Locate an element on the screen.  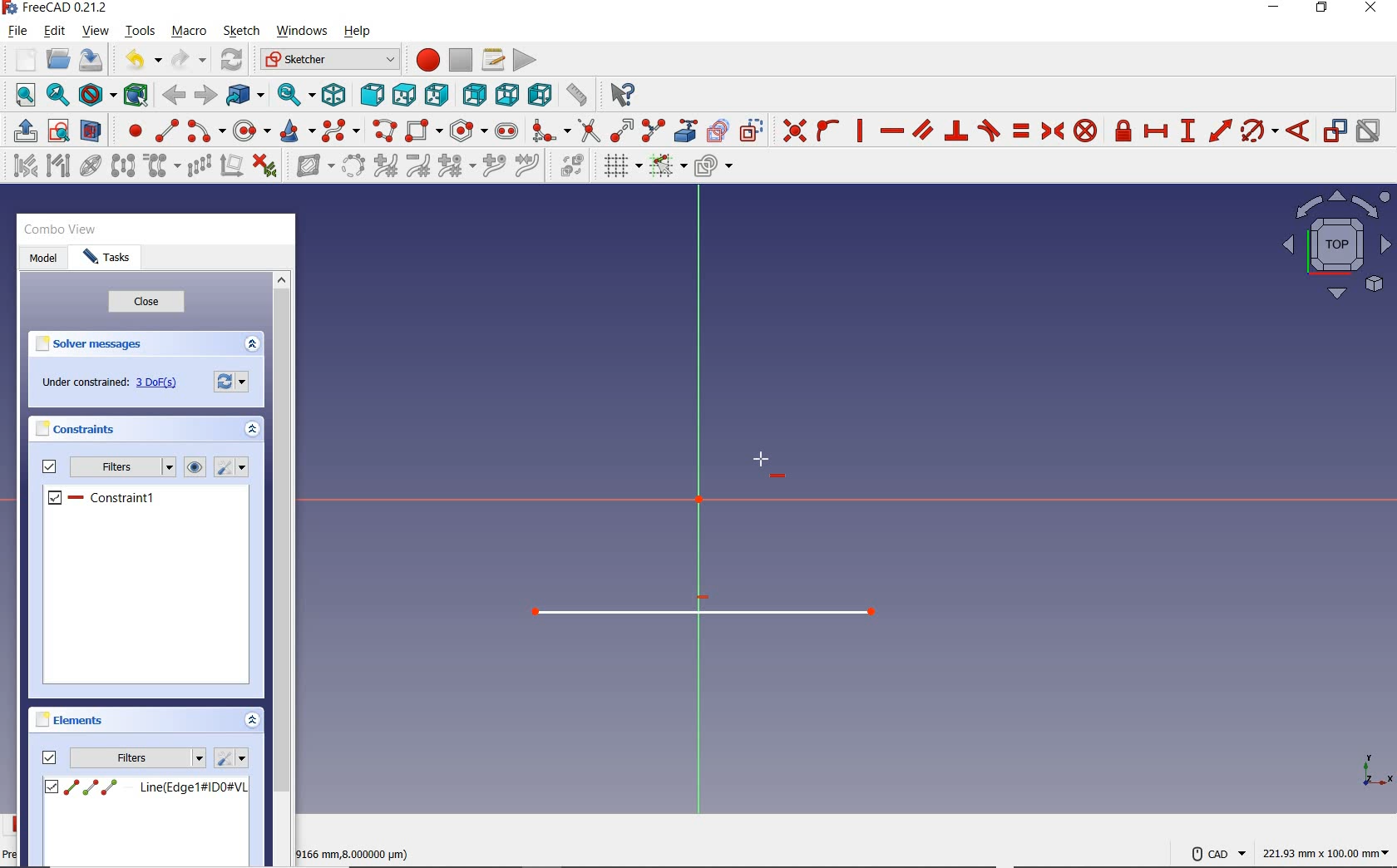
SHOW/HIDE B-SPLINE INFORMATION LAYER is located at coordinates (313, 168).